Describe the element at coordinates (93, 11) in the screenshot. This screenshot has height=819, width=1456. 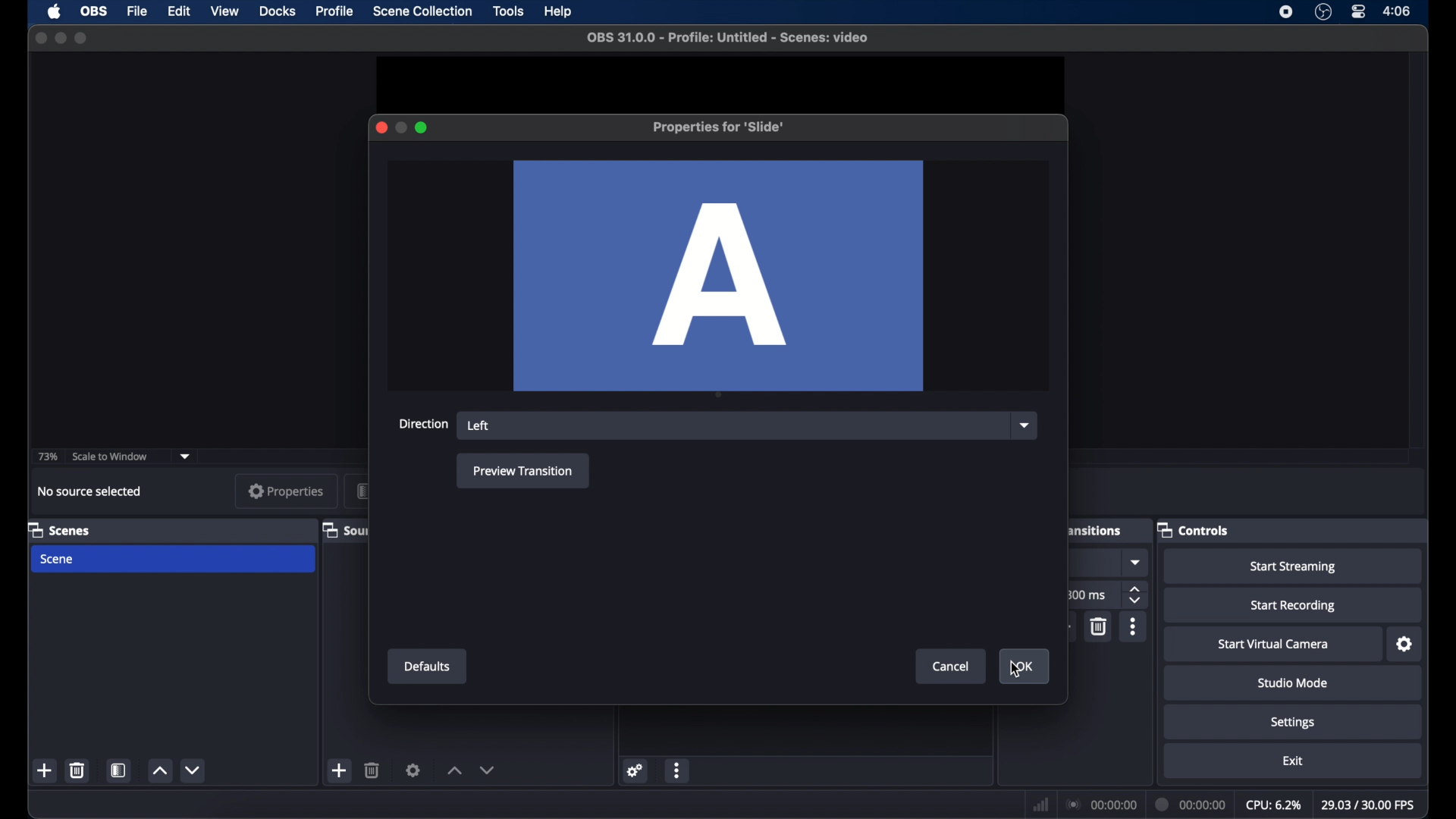
I see `obs` at that location.